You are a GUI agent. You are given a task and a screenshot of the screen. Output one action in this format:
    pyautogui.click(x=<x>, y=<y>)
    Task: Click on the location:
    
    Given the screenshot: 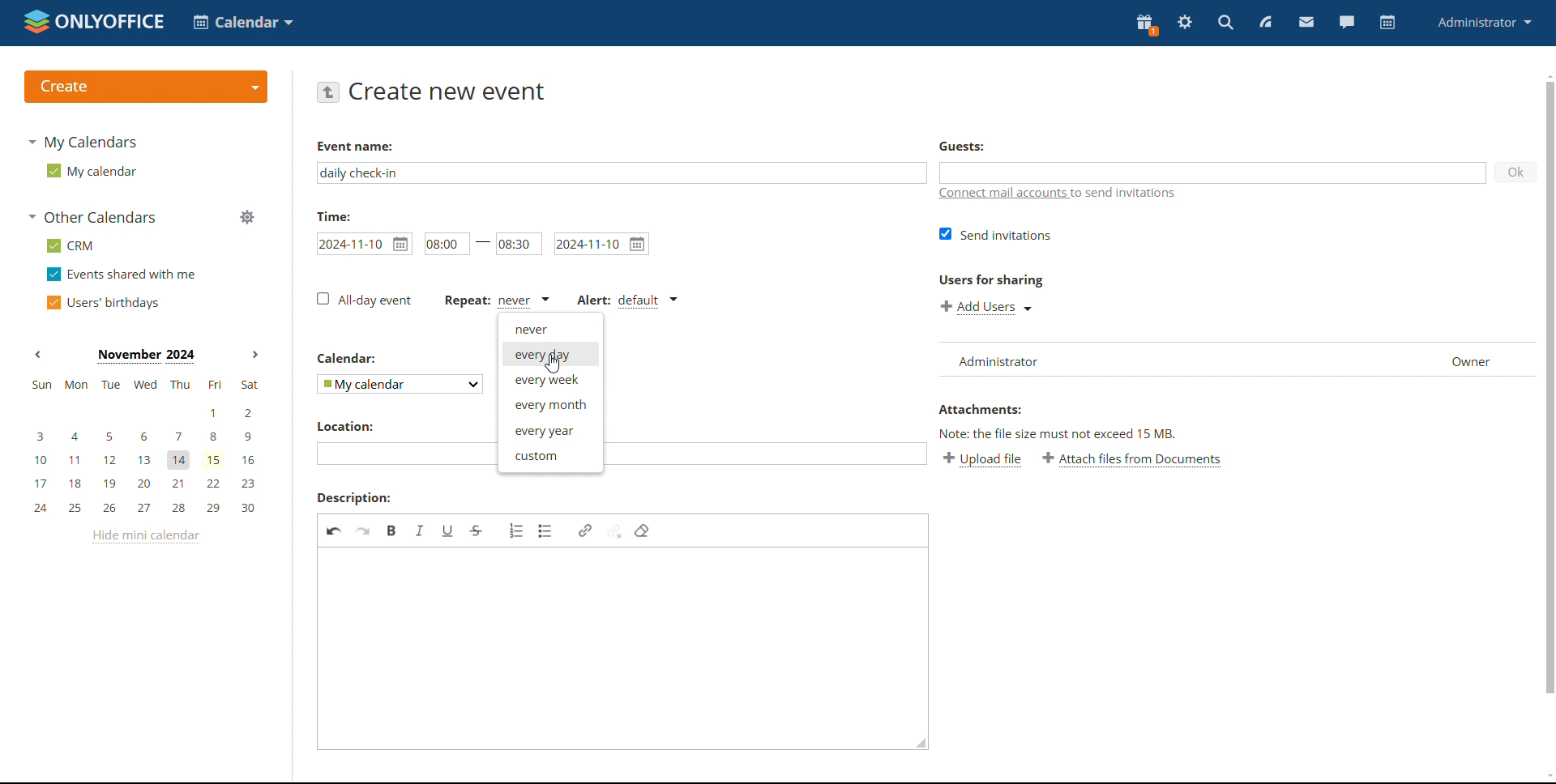 What is the action you would take?
    pyautogui.click(x=363, y=426)
    